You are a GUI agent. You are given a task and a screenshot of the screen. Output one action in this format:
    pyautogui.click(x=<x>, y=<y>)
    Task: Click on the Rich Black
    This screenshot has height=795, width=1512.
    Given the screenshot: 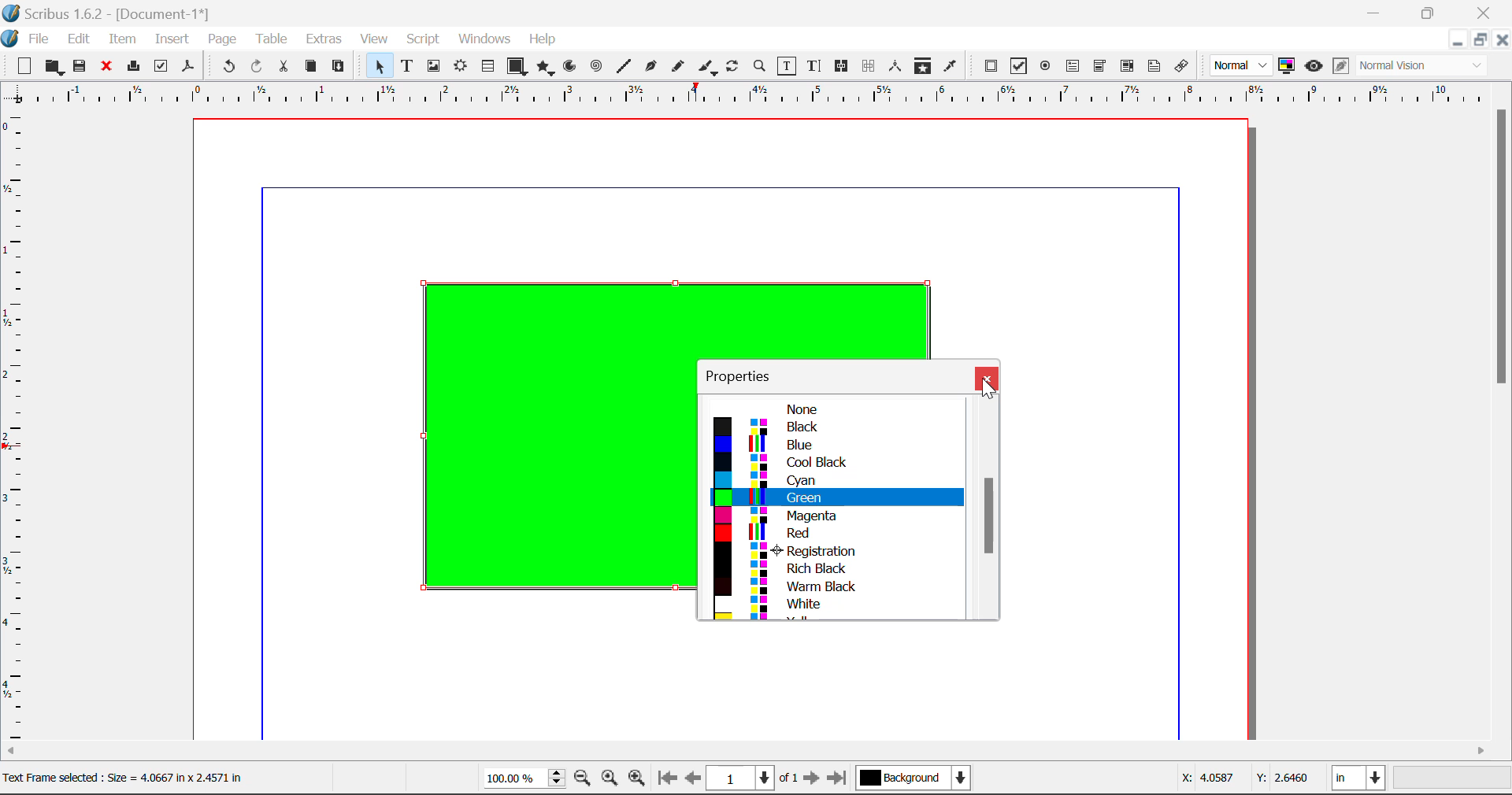 What is the action you would take?
    pyautogui.click(x=831, y=567)
    